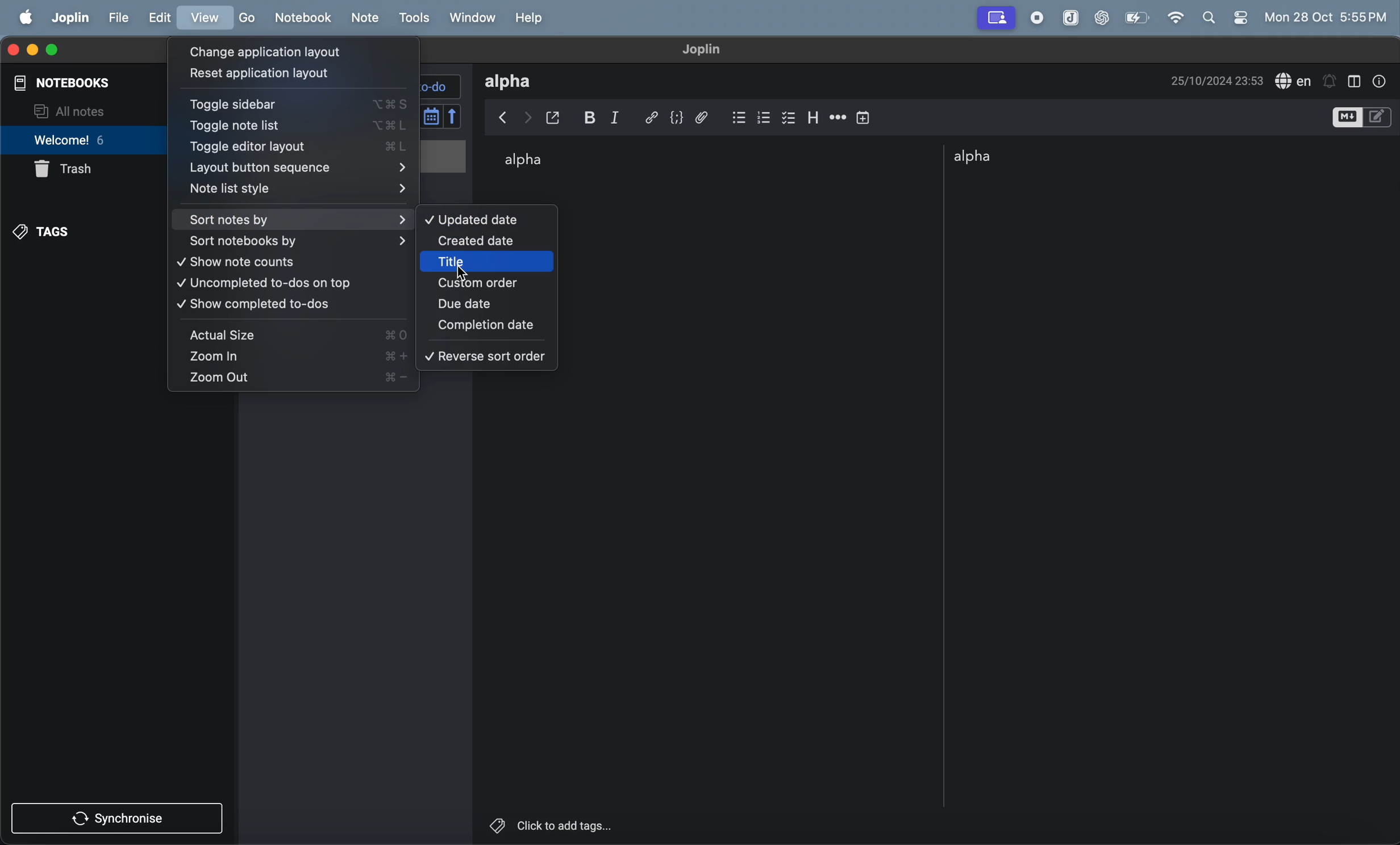  I want to click on edit, so click(161, 18).